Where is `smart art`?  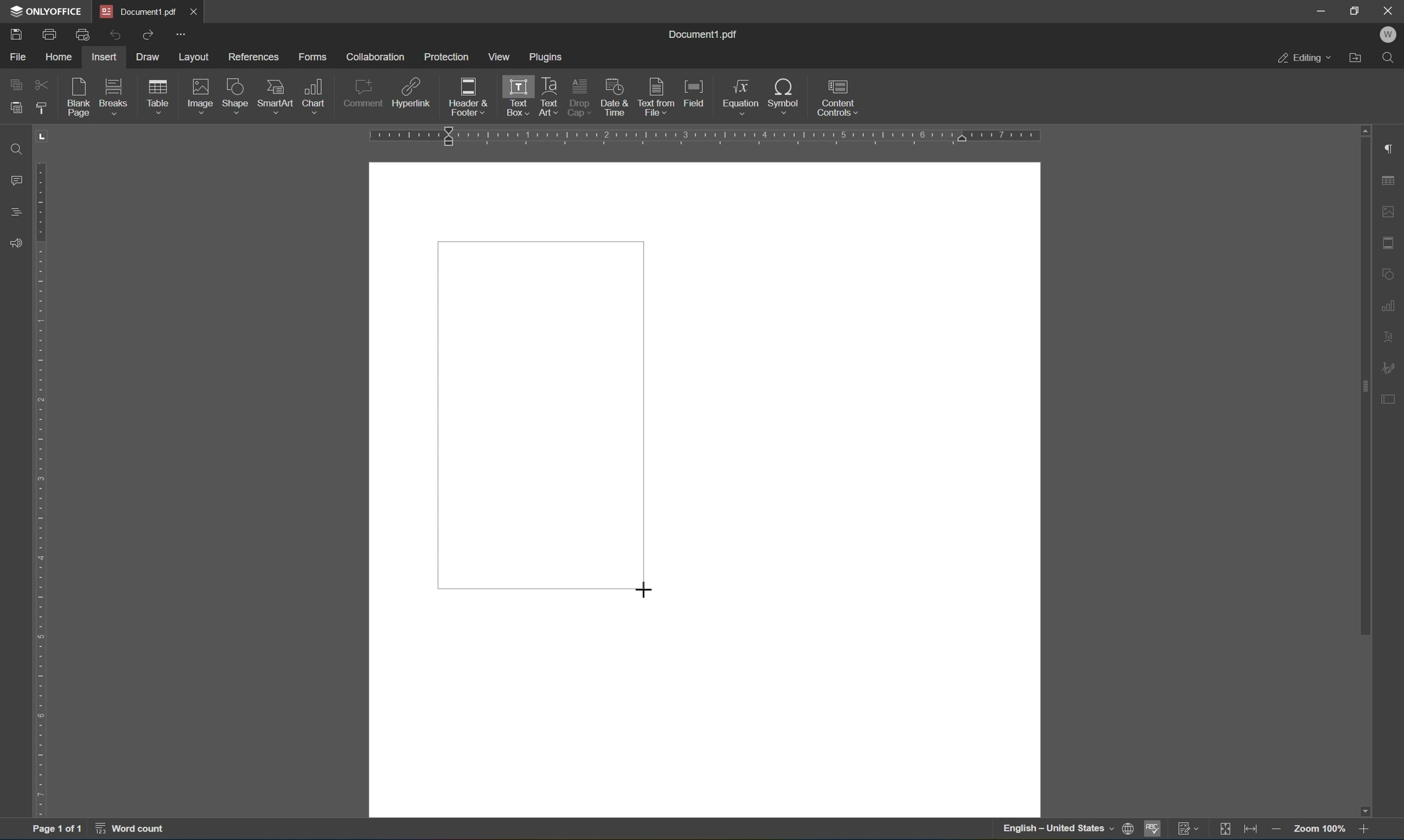 smart art is located at coordinates (277, 96).